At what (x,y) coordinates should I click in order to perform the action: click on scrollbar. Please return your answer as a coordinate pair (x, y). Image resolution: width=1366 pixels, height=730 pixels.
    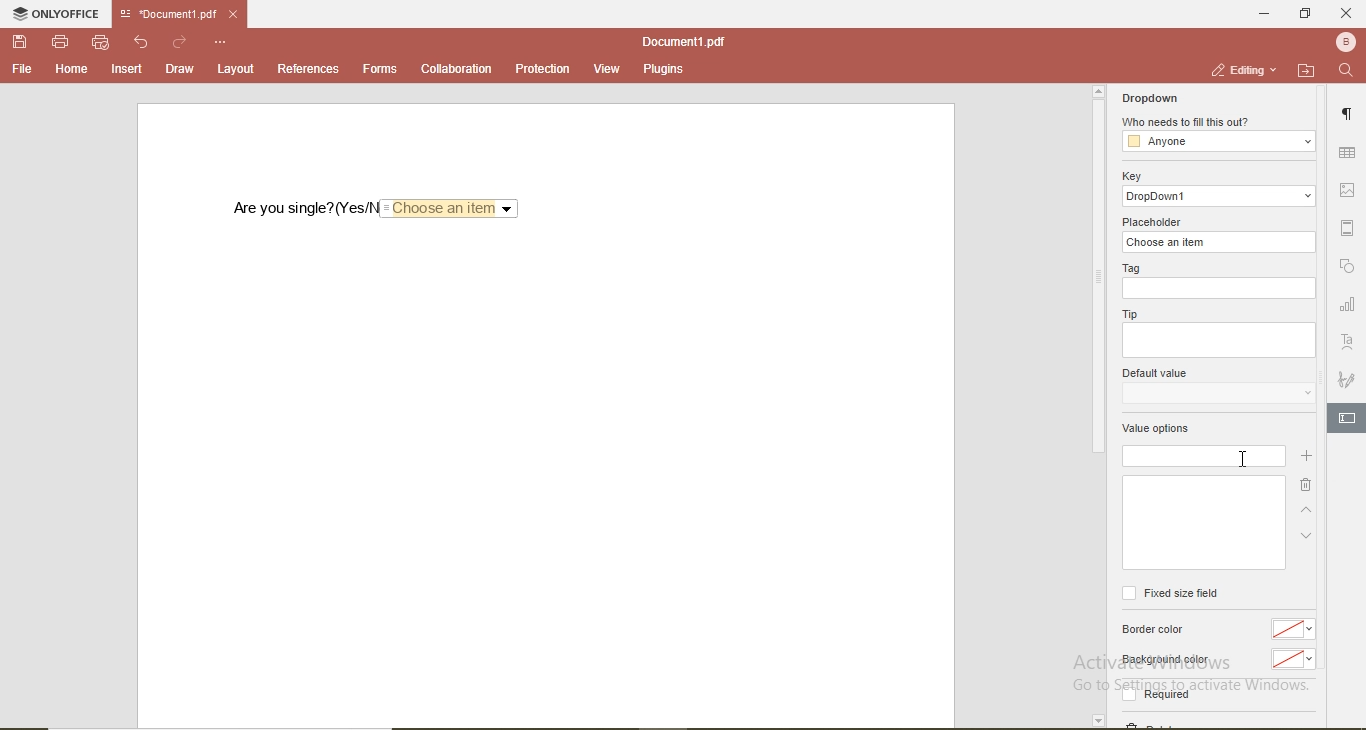
    Looking at the image, I should click on (1097, 269).